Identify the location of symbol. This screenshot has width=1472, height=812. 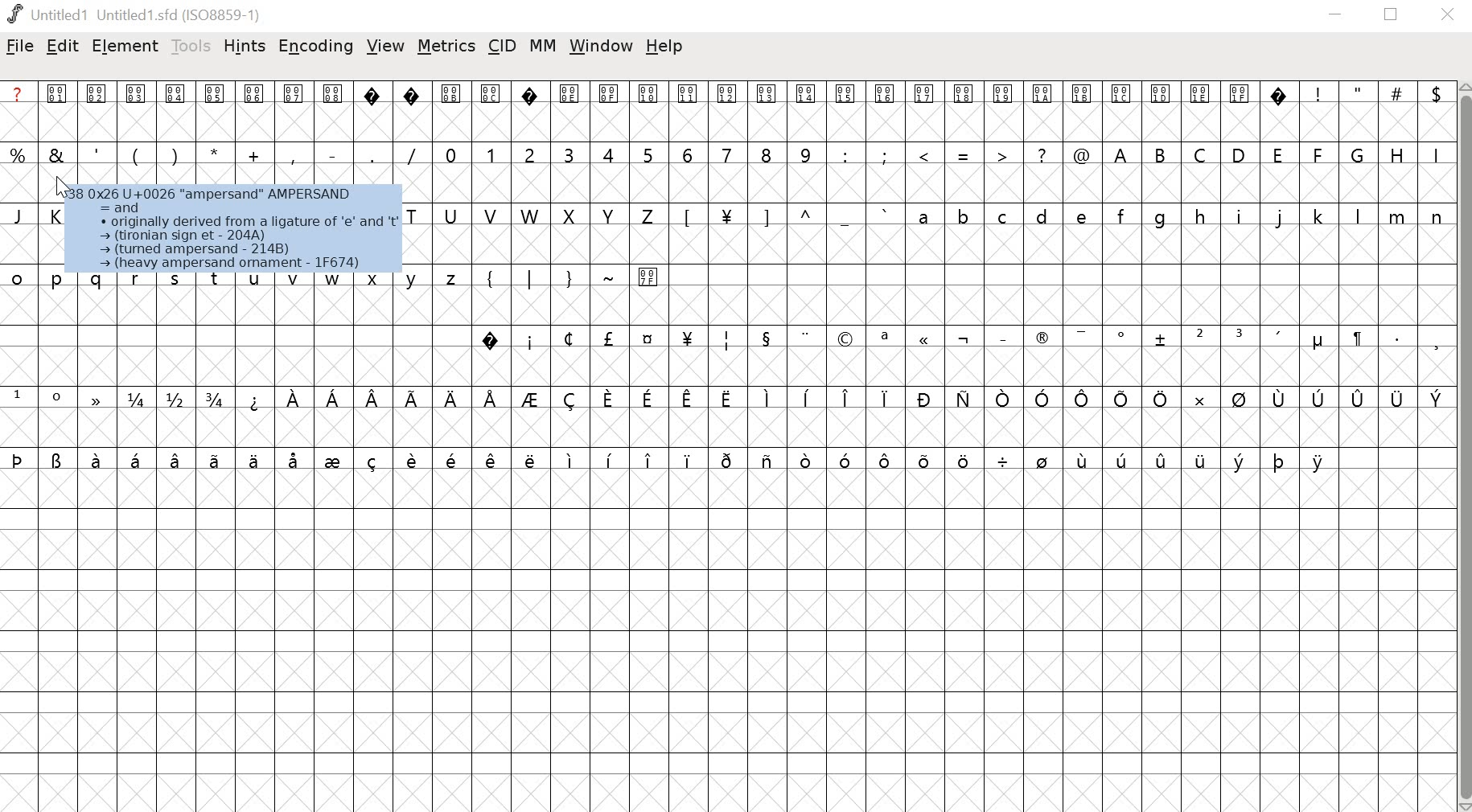
(883, 396).